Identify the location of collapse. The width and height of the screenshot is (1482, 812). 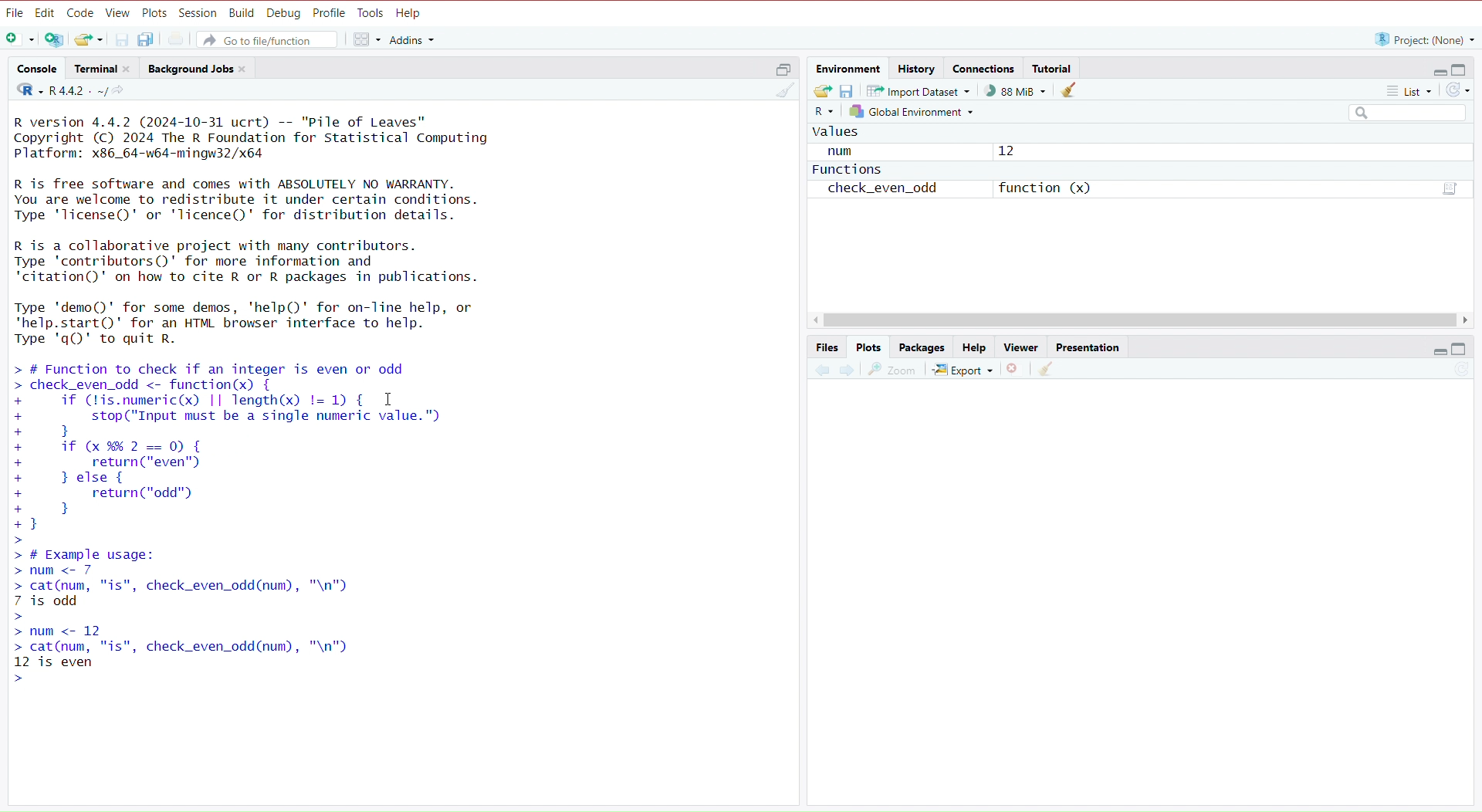
(1463, 70).